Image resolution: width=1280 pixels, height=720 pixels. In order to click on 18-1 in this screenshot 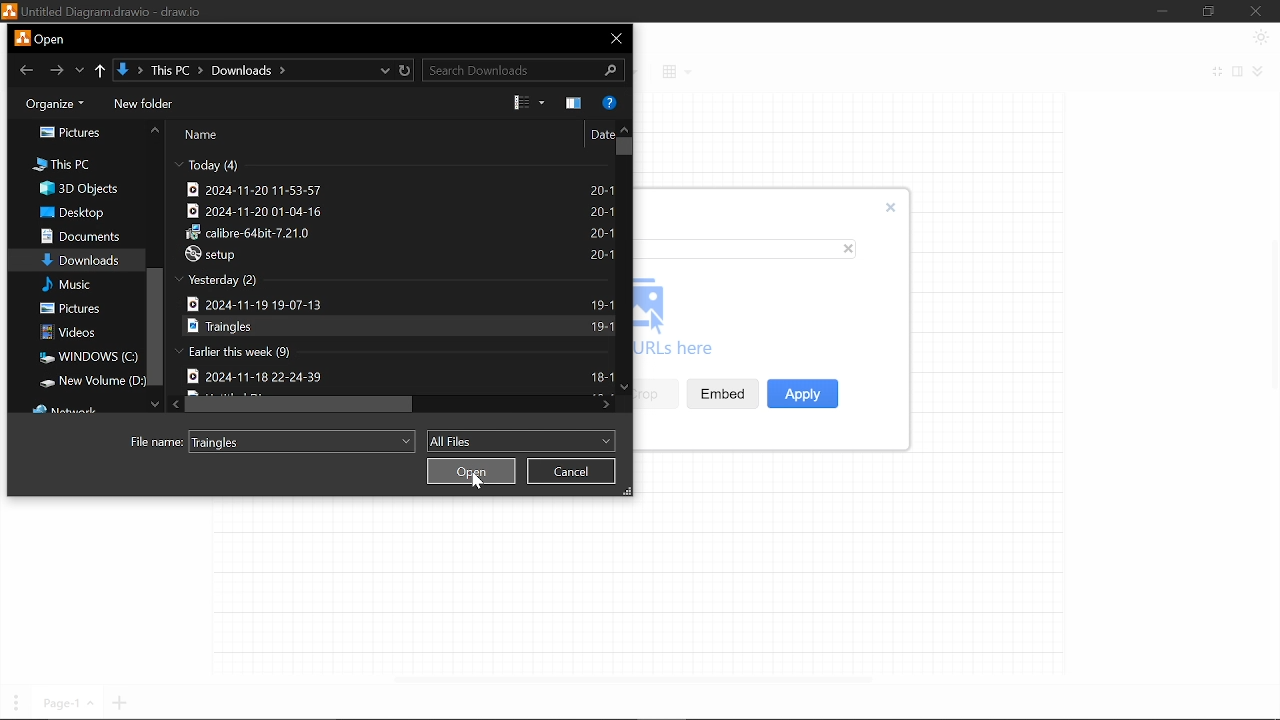, I will do `click(600, 377)`.